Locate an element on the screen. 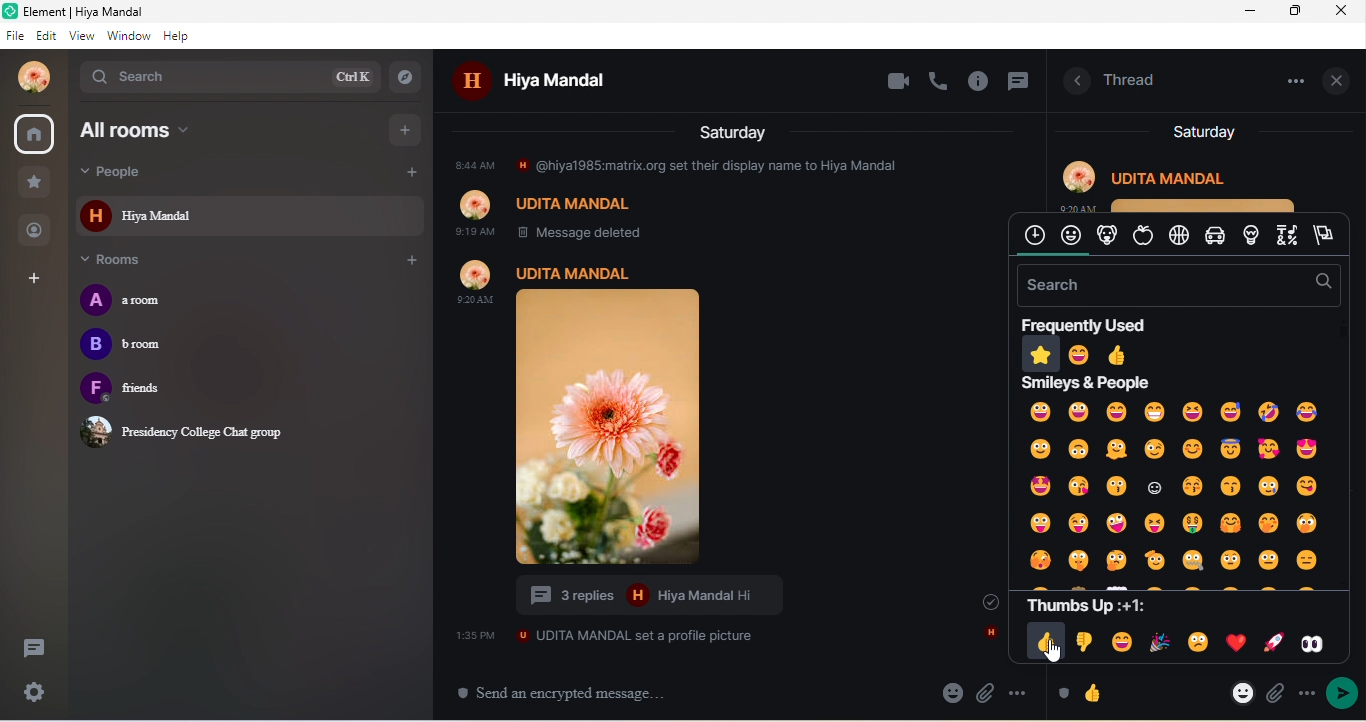 The image size is (1366, 722). 3 replies hiya mandal is located at coordinates (660, 596).